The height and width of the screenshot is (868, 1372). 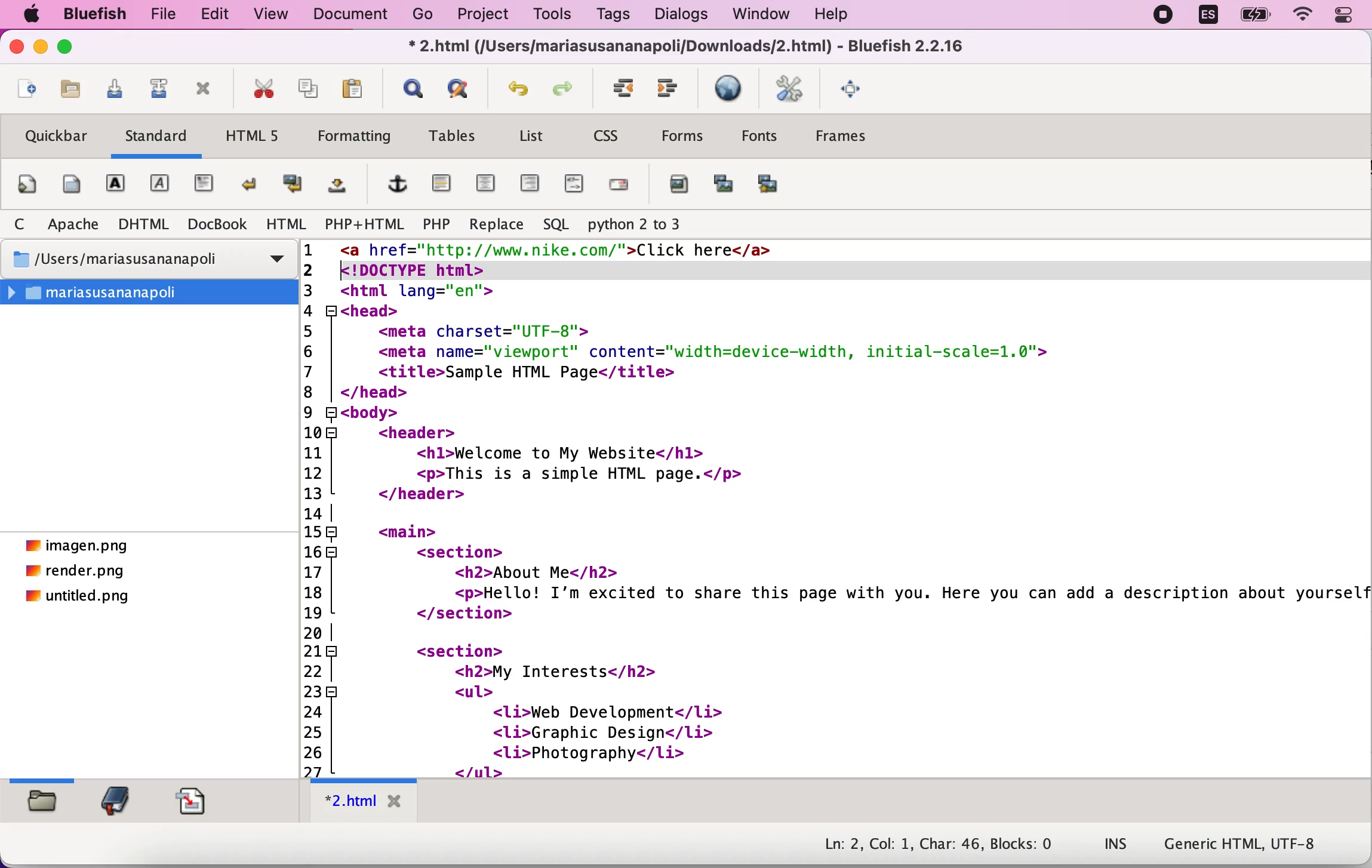 What do you see at coordinates (69, 184) in the screenshot?
I see `body` at bounding box center [69, 184].